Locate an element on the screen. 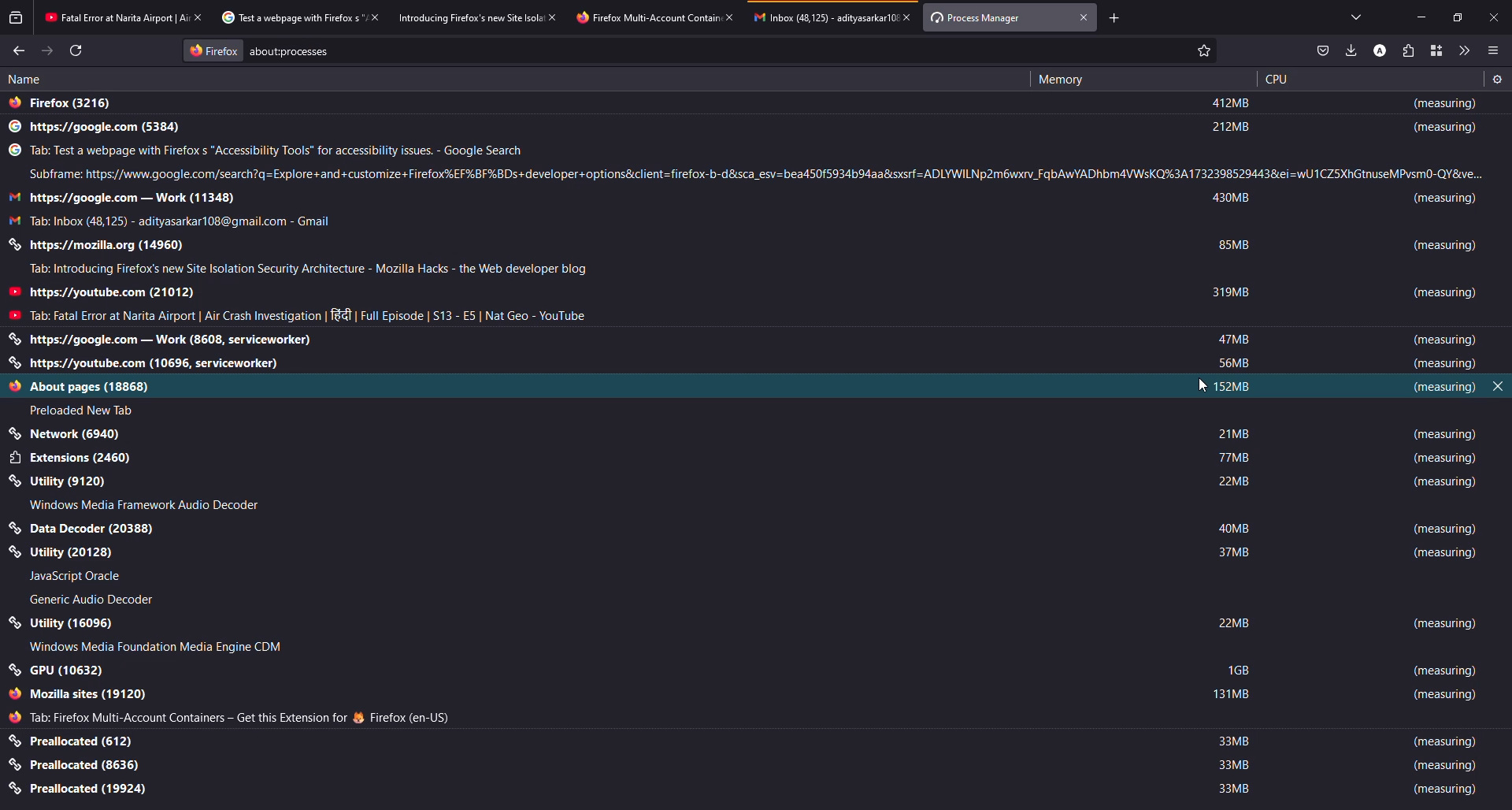 The width and height of the screenshot is (1512, 810). GPU (10632) is located at coordinates (65, 671).